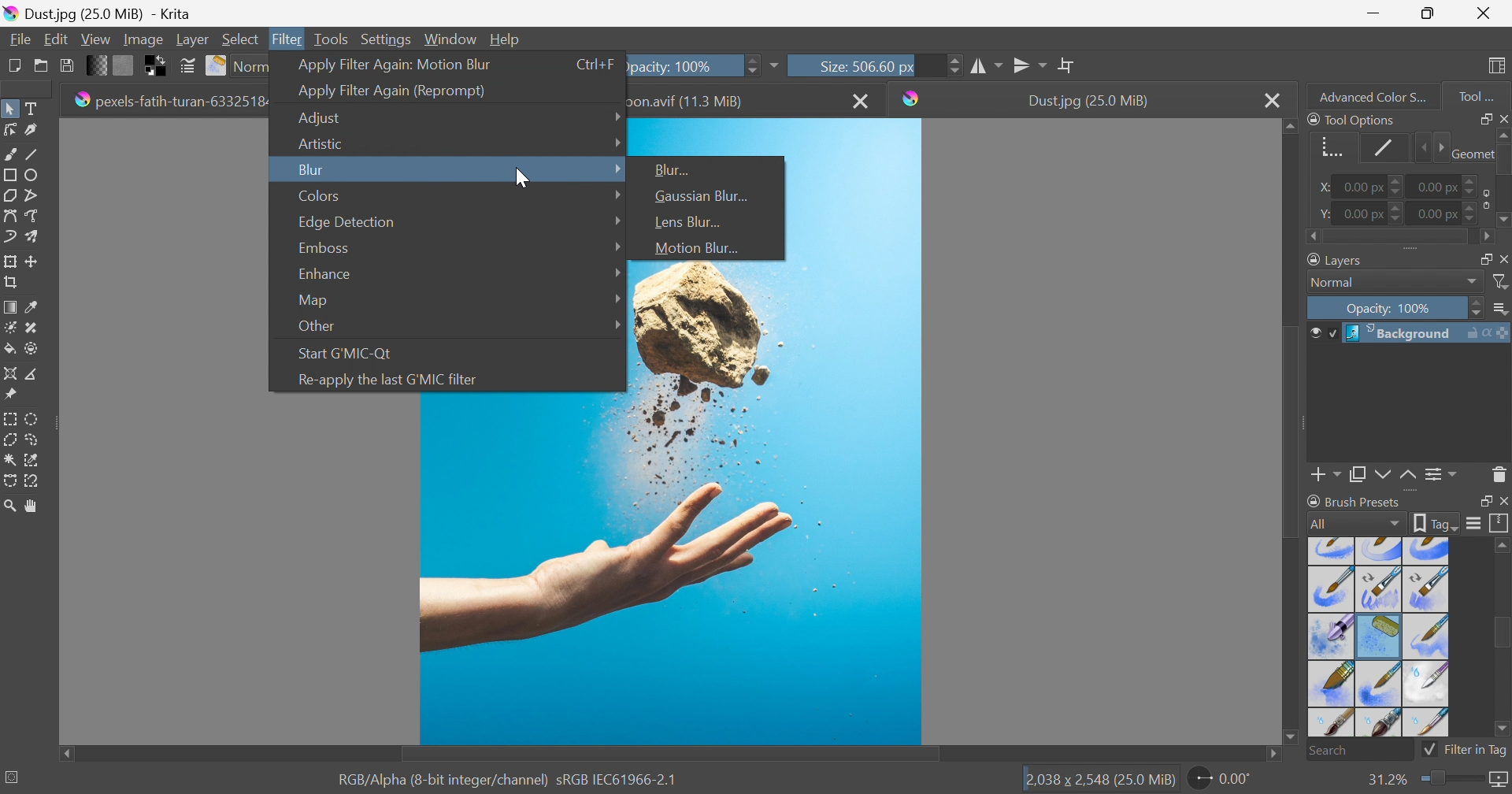  What do you see at coordinates (506, 39) in the screenshot?
I see `Help` at bounding box center [506, 39].